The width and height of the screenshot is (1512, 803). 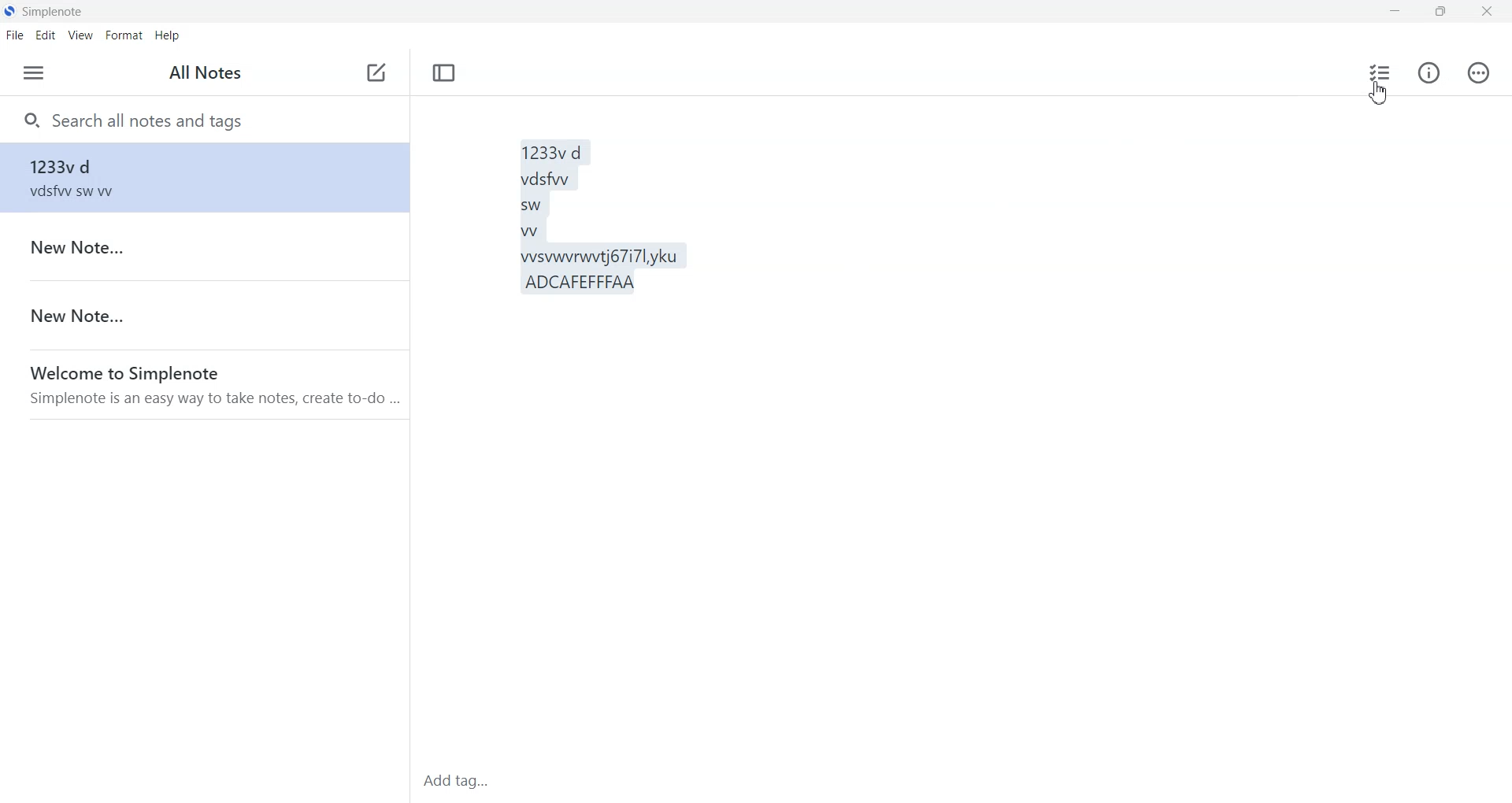 I want to click on Format, so click(x=124, y=35).